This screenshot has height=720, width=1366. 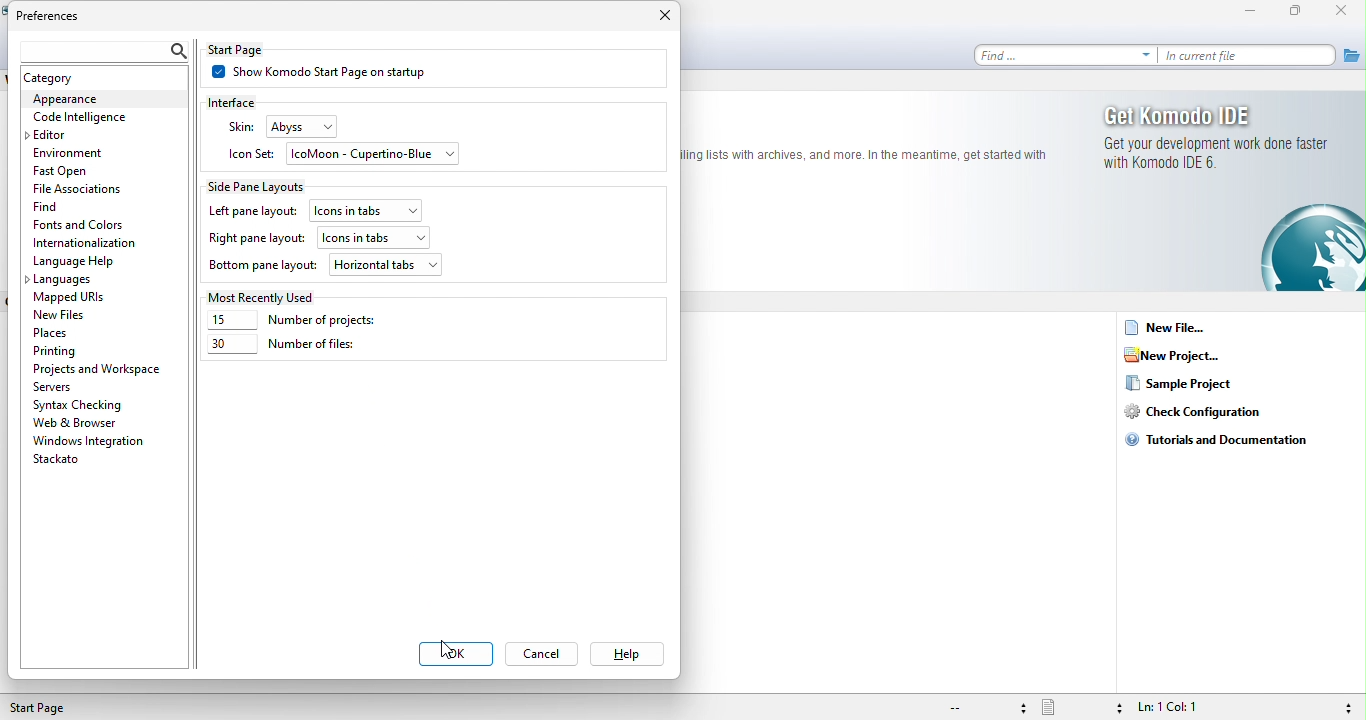 I want to click on close, so click(x=660, y=19).